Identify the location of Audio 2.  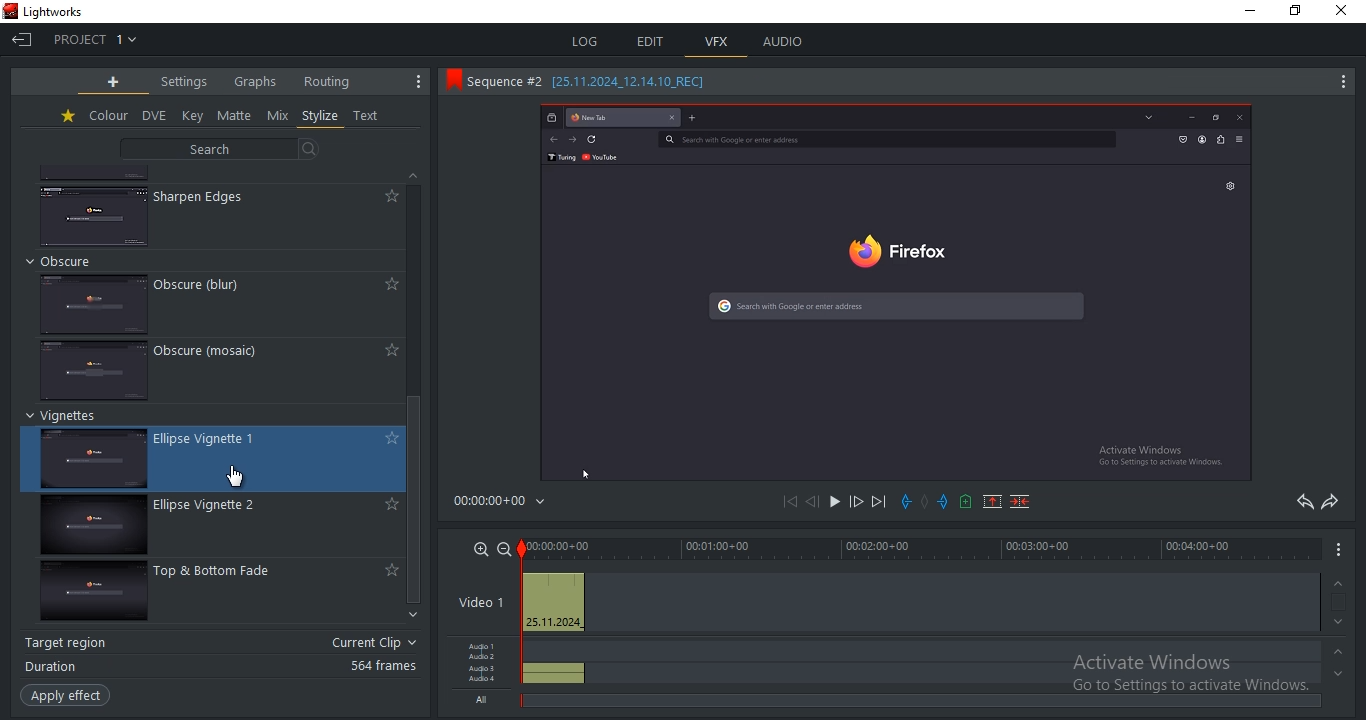
(485, 658).